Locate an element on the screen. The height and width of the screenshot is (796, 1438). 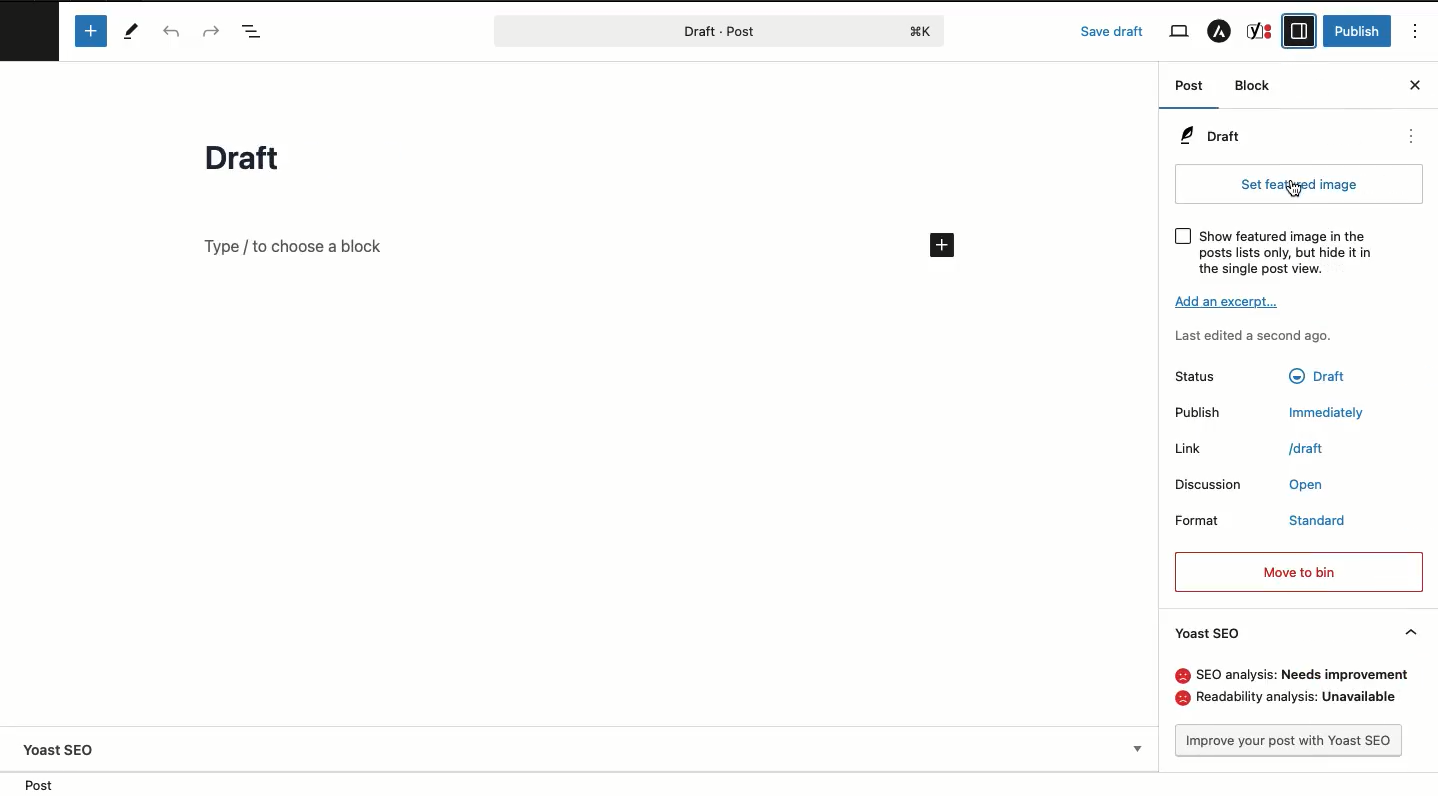
Save draft is located at coordinates (1113, 31).